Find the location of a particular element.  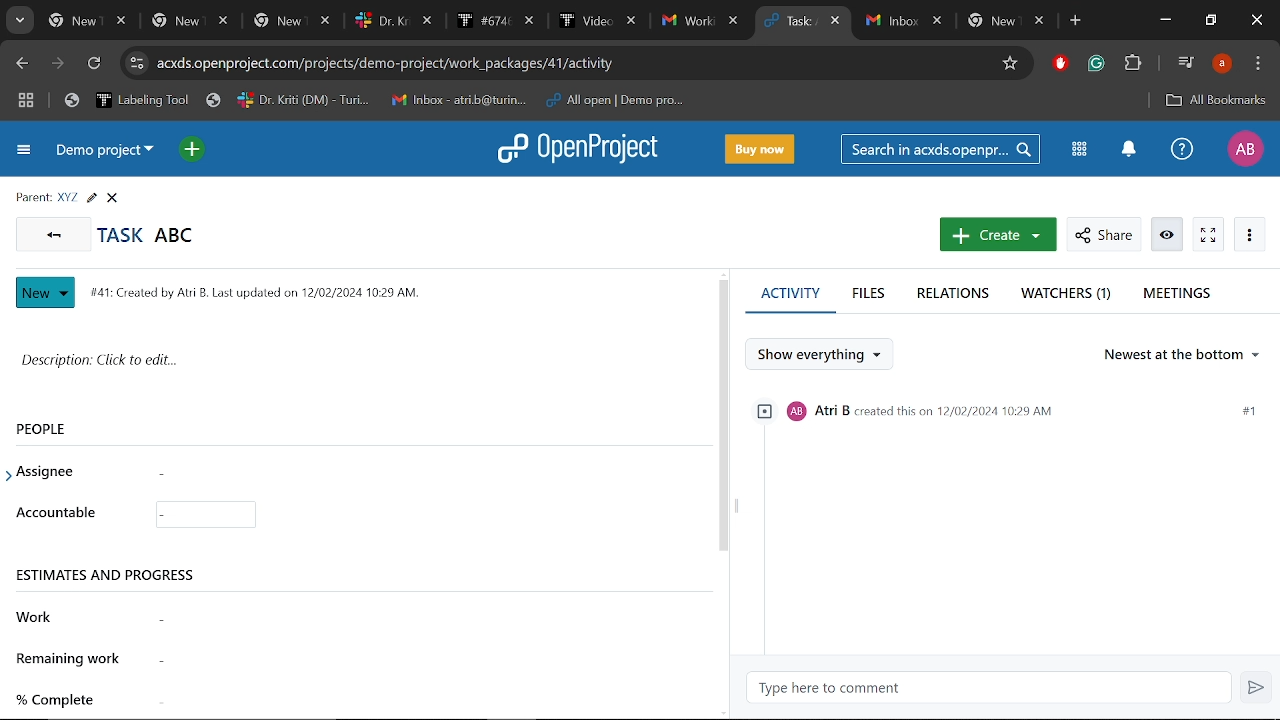

Complete is located at coordinates (319, 700).